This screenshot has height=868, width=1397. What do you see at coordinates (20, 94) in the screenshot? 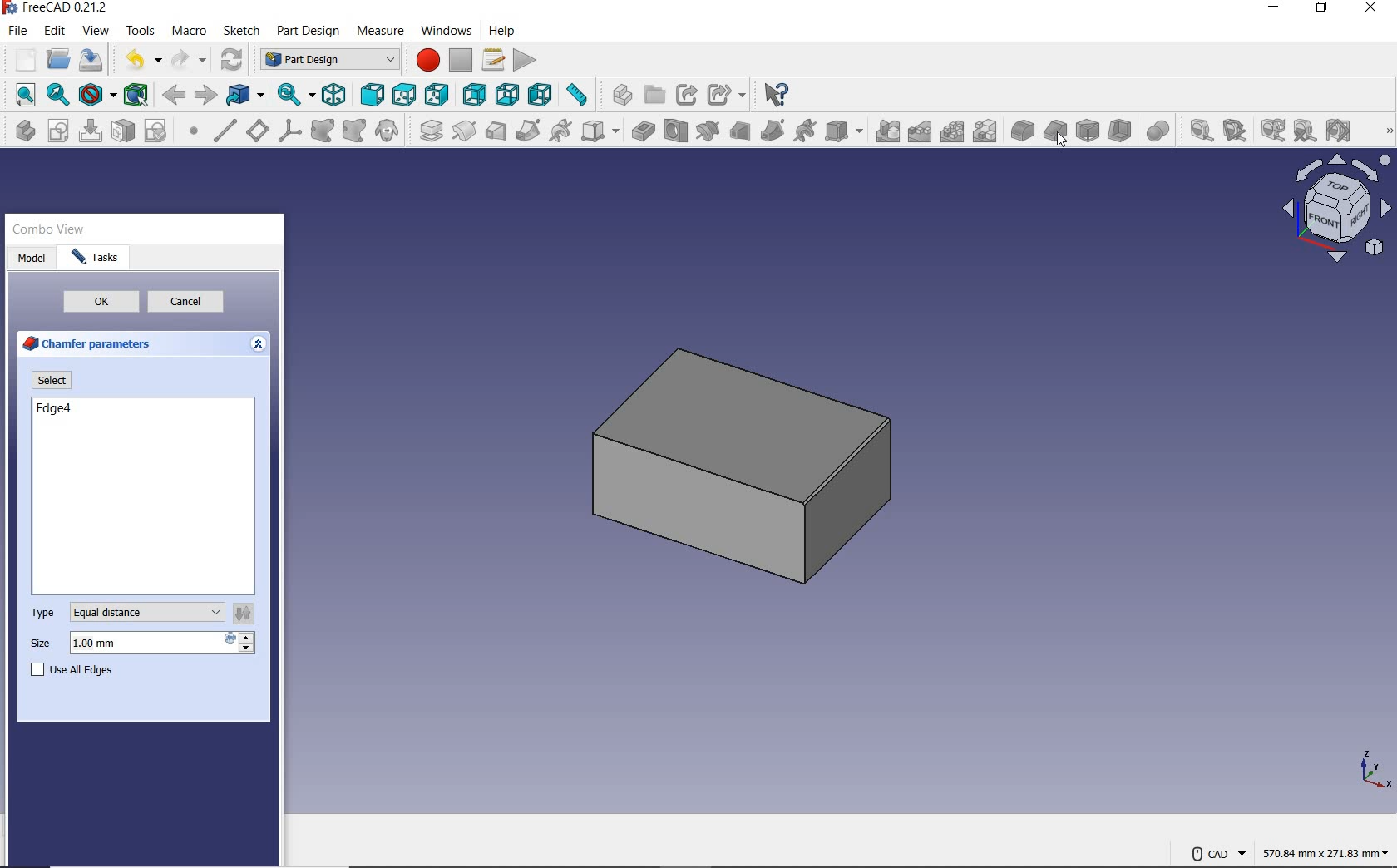
I see `fit all` at bounding box center [20, 94].